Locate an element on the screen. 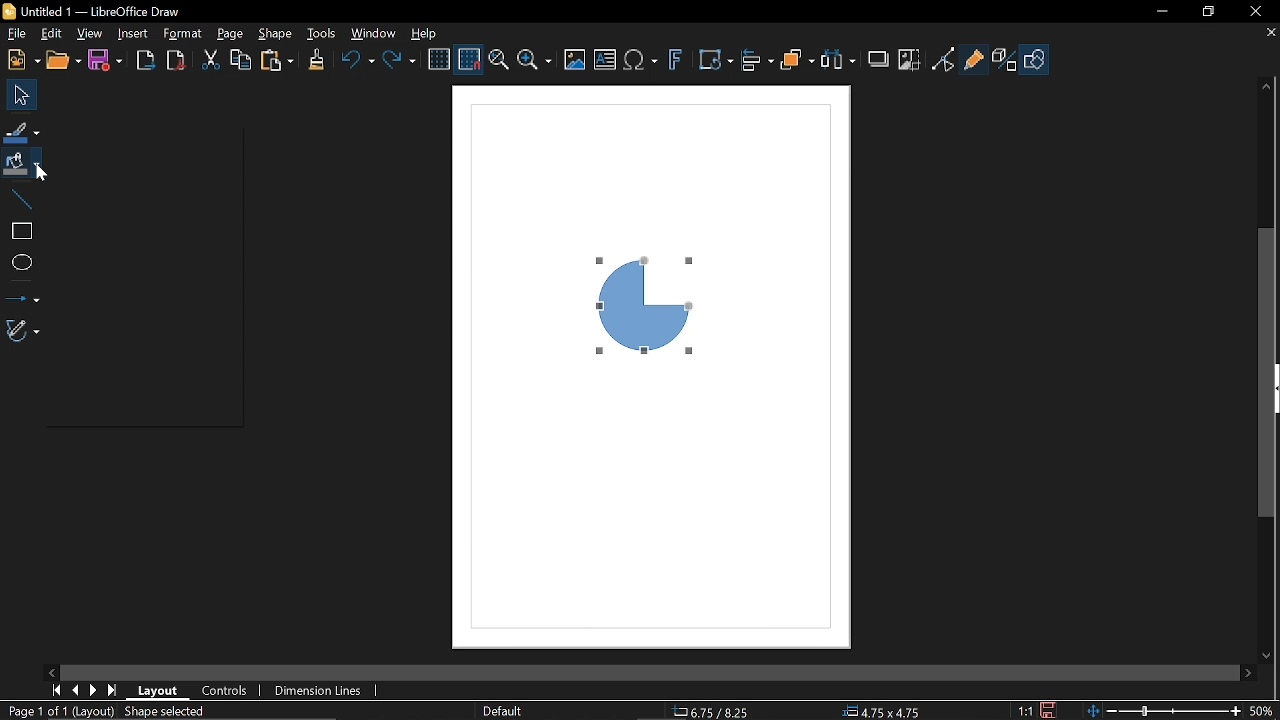  Paste is located at coordinates (278, 61).